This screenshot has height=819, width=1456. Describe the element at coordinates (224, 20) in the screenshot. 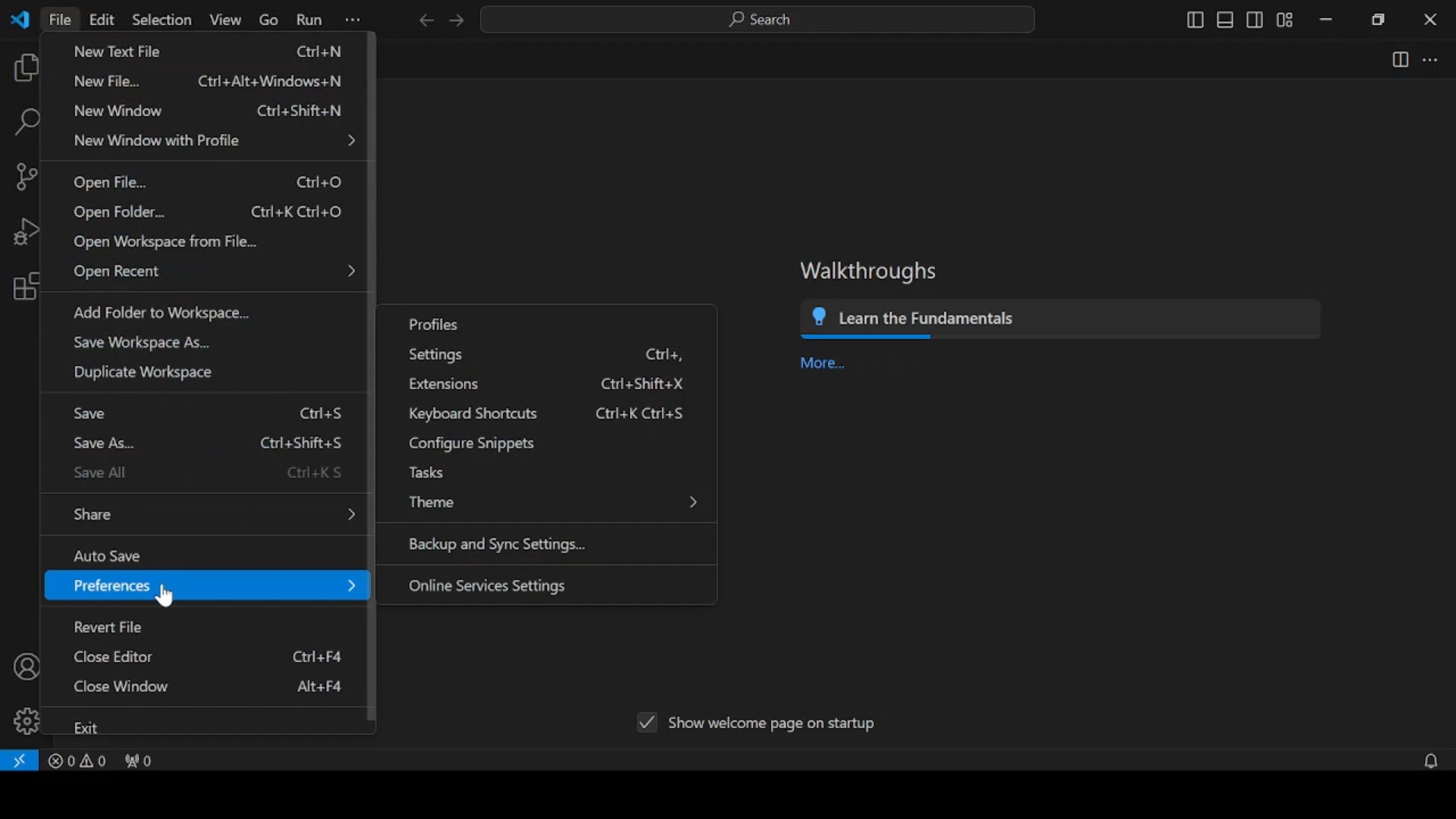

I see `view` at that location.